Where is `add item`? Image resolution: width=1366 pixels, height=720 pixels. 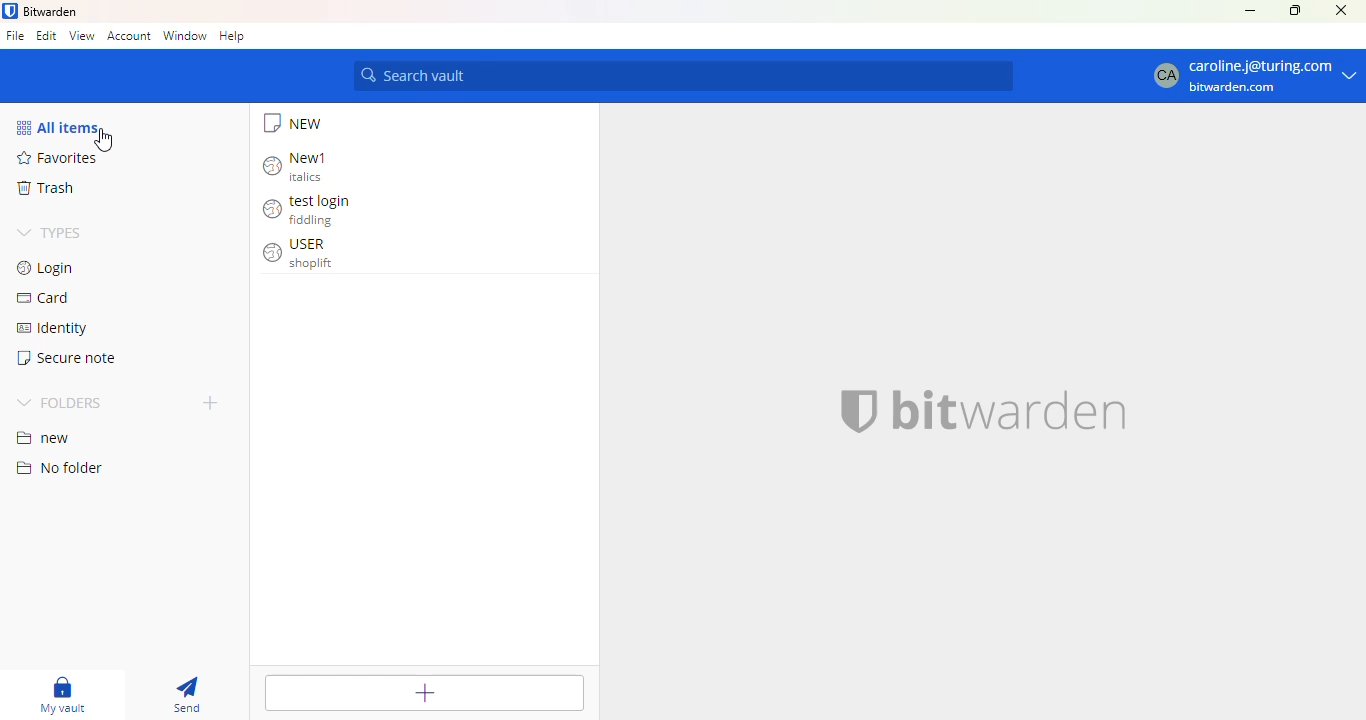
add item is located at coordinates (423, 692).